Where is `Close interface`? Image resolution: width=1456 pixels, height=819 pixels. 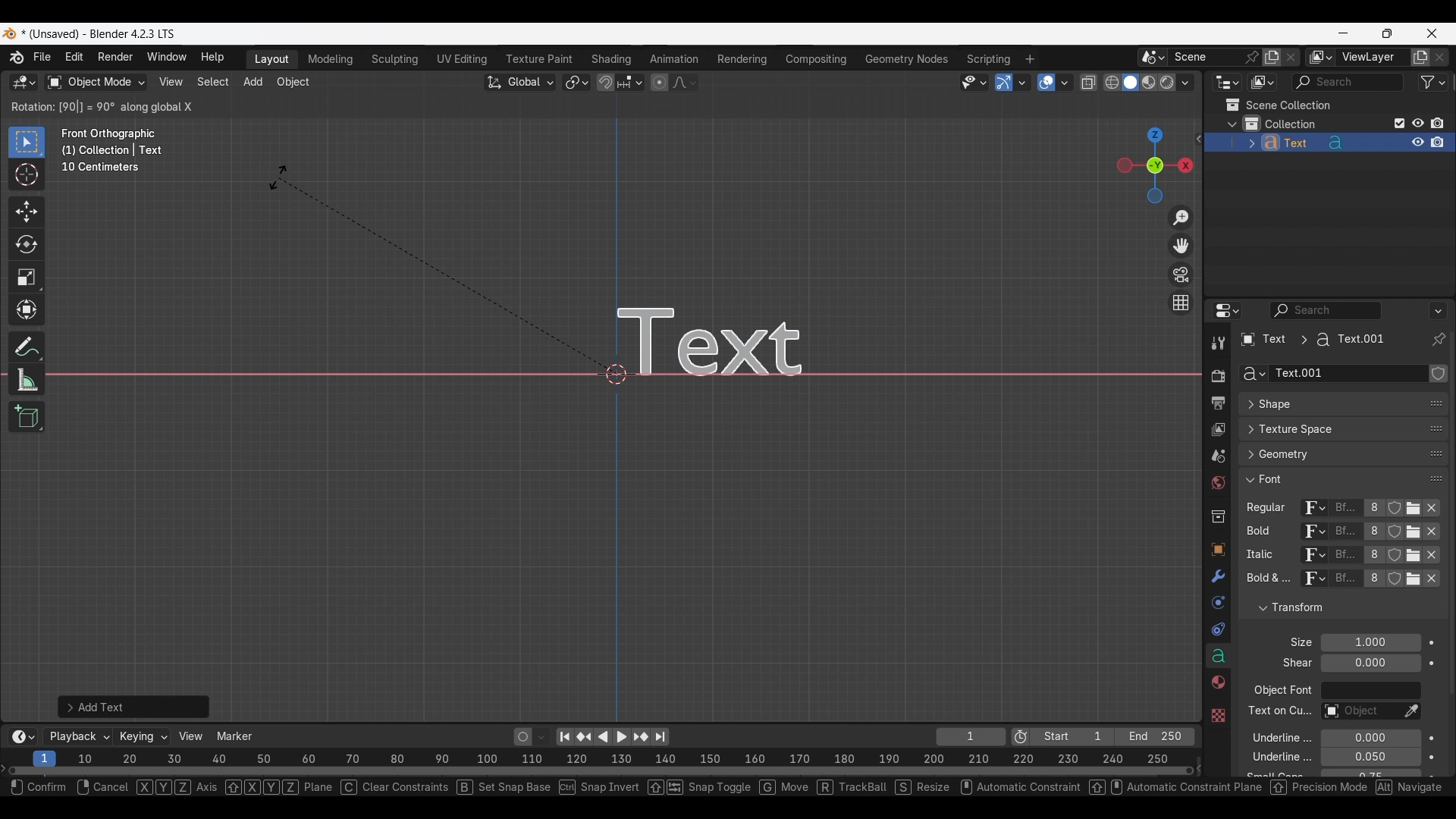
Close interface is located at coordinates (1432, 33).